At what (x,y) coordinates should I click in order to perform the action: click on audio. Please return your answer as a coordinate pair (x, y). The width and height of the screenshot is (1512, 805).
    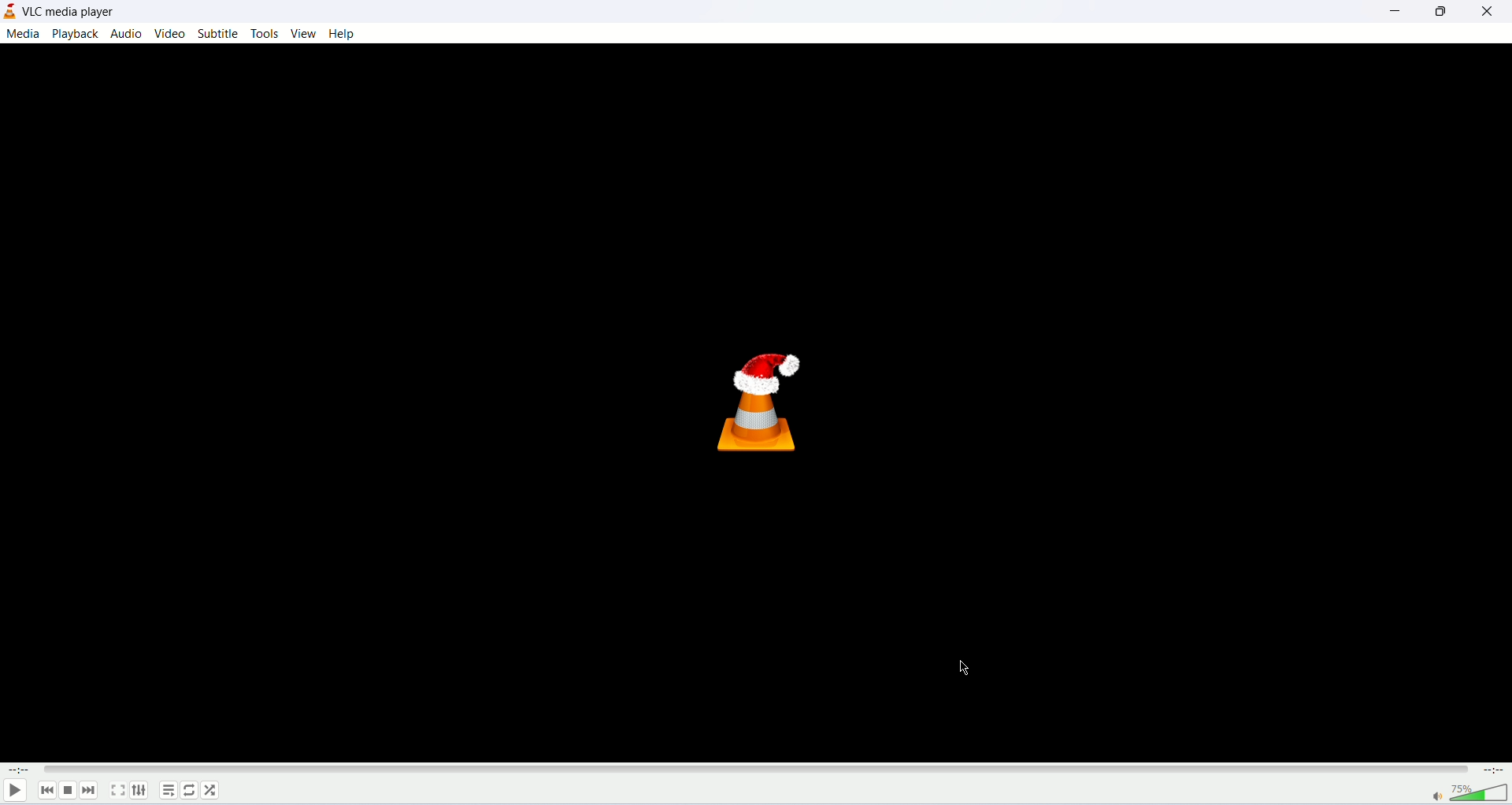
    Looking at the image, I should click on (126, 34).